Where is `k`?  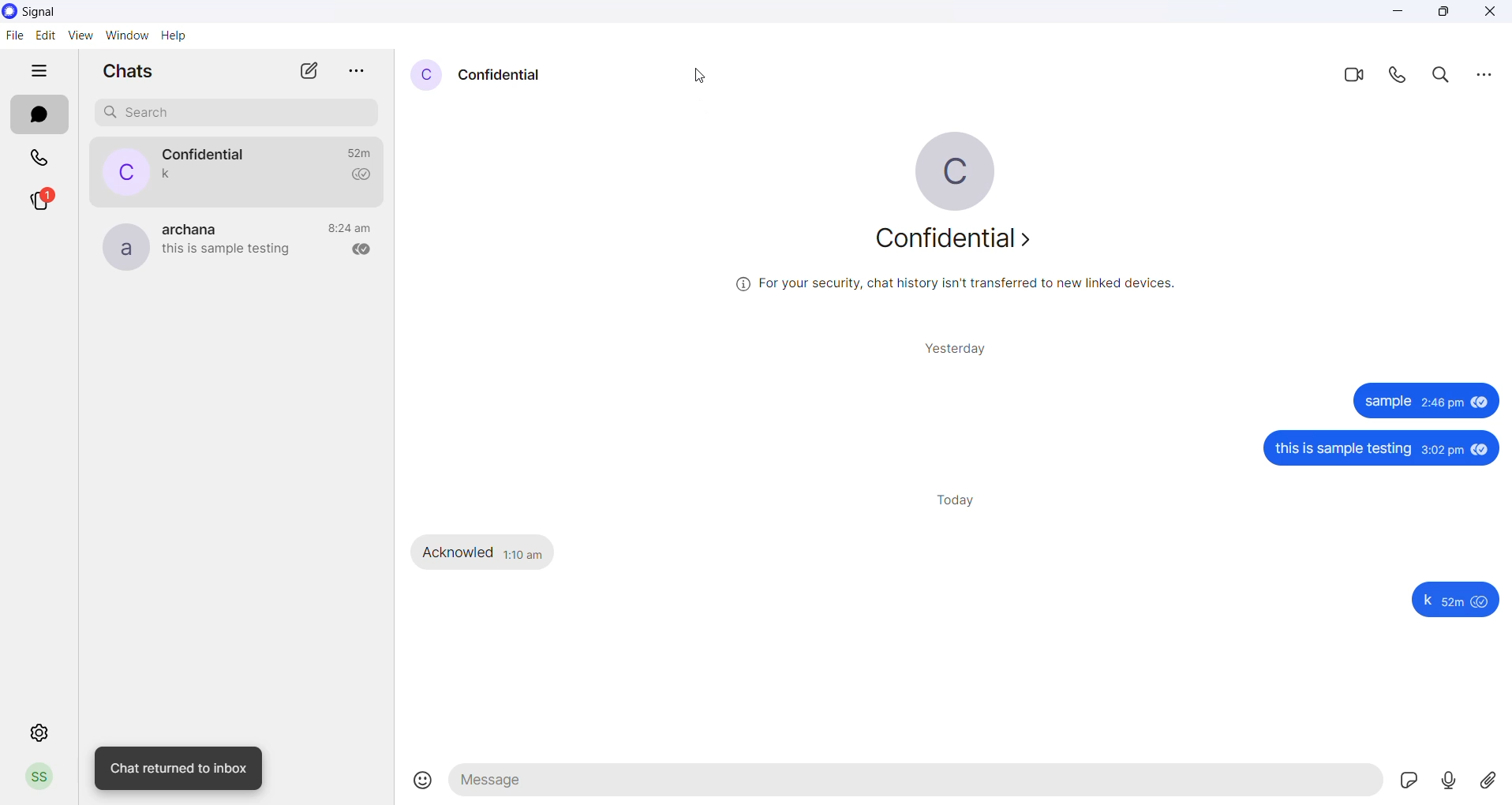 k is located at coordinates (1429, 603).